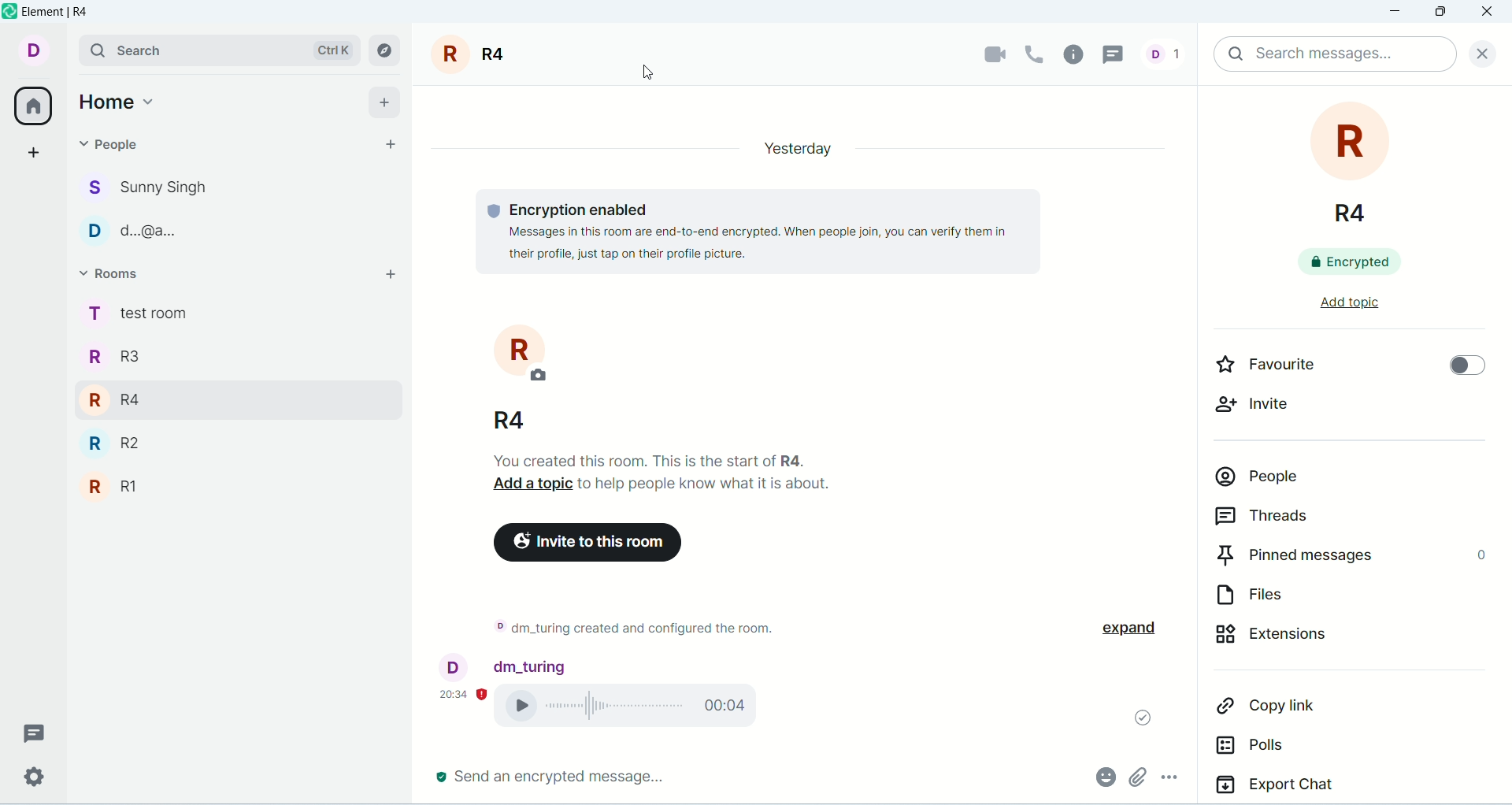 The height and width of the screenshot is (805, 1512). I want to click on video call, so click(986, 55).